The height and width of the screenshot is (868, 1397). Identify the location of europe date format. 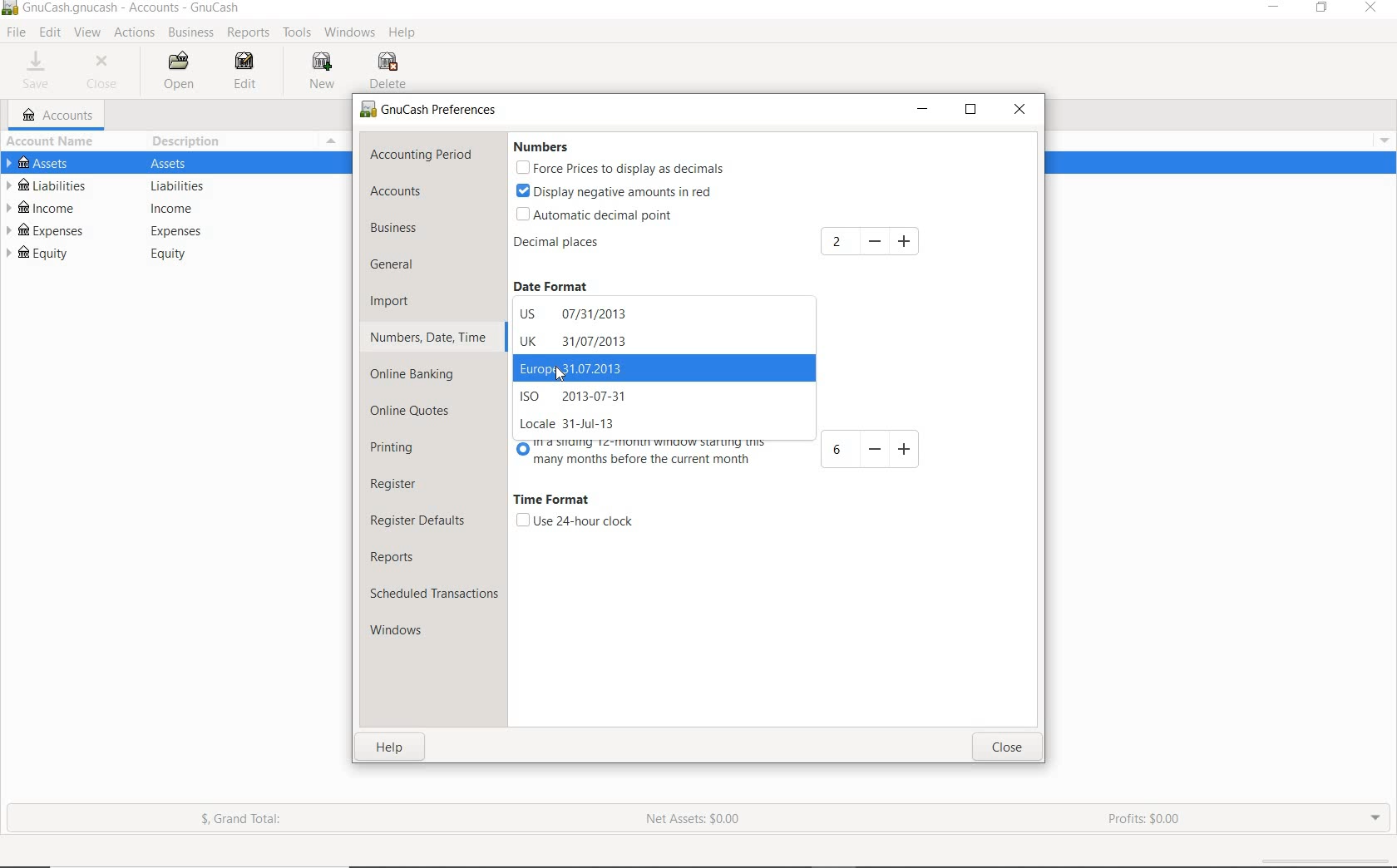
(583, 367).